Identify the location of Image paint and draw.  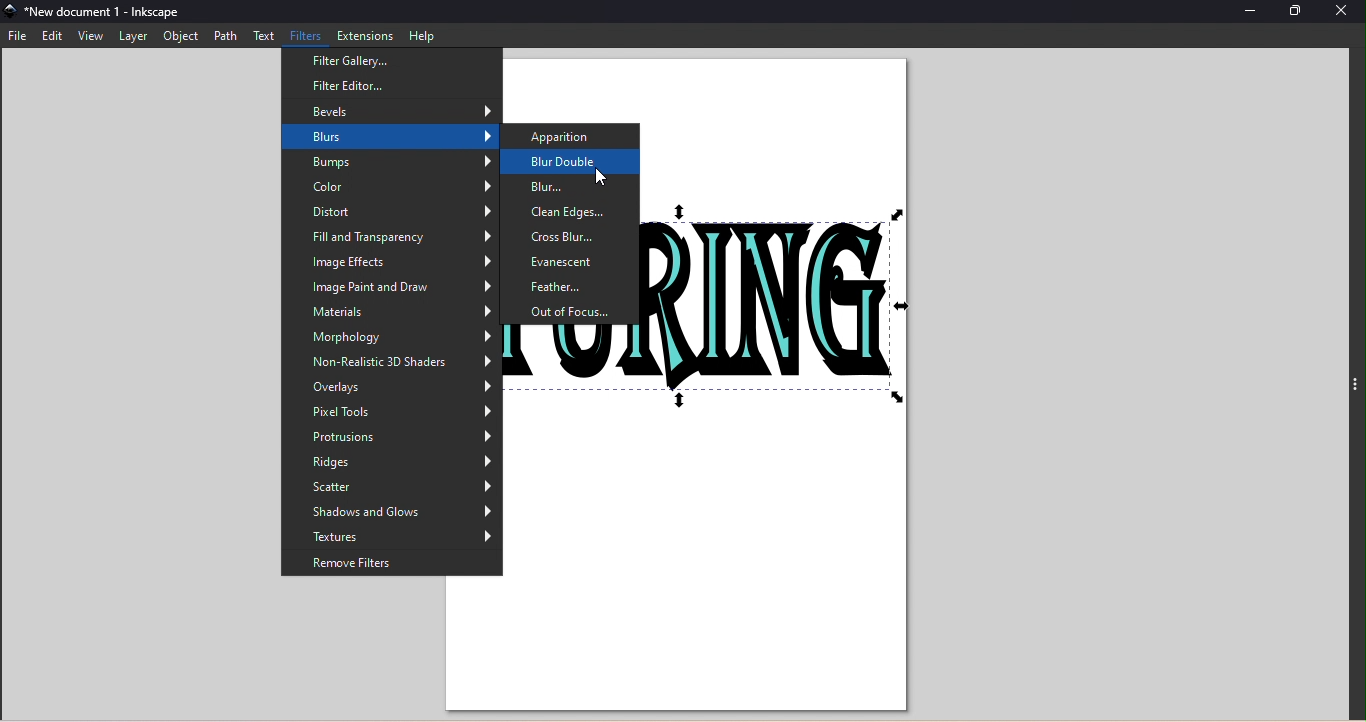
(391, 287).